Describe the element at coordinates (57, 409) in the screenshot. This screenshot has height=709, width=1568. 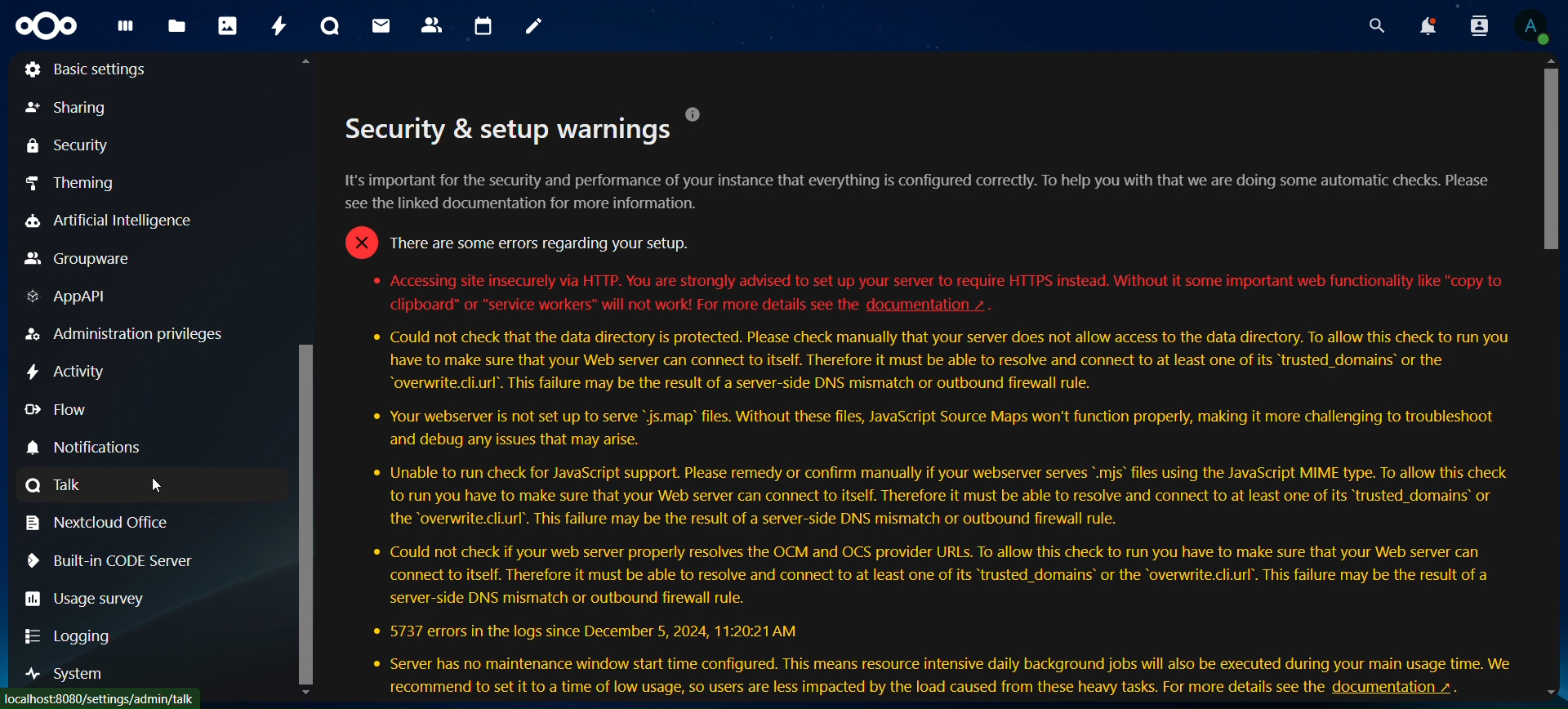
I see `flow` at that location.